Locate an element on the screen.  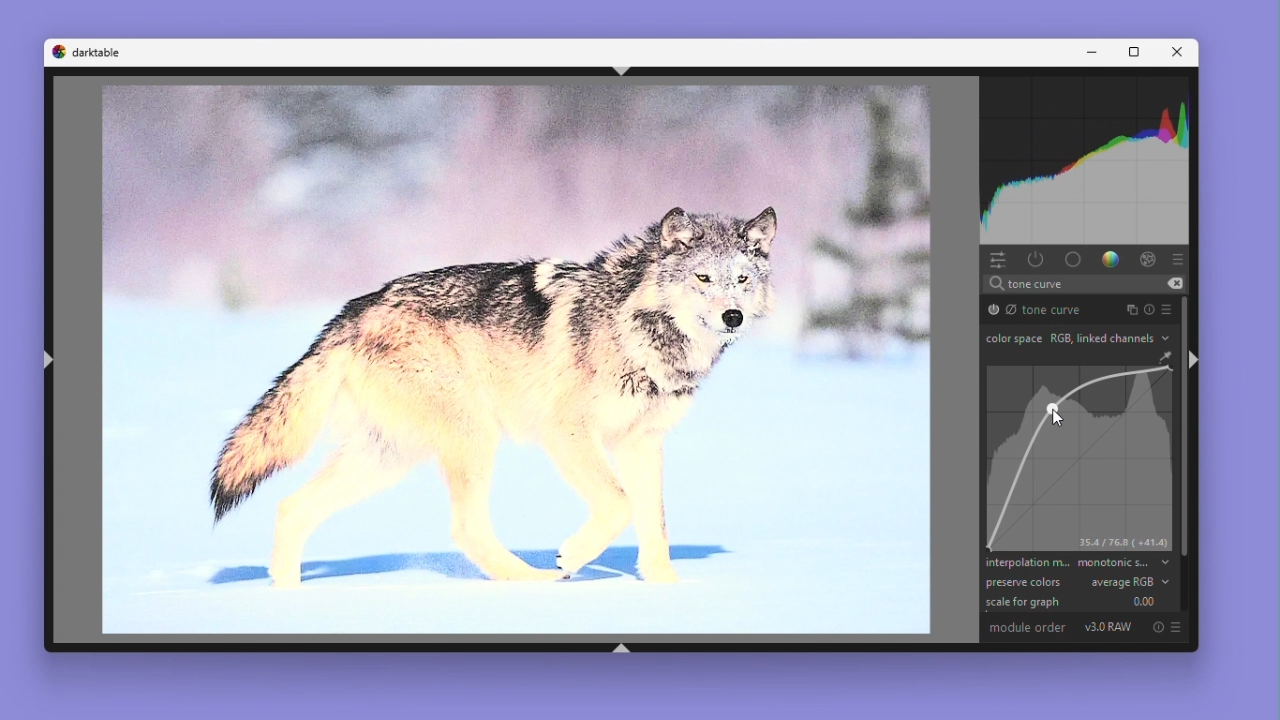
Instance is located at coordinates (1132, 309).